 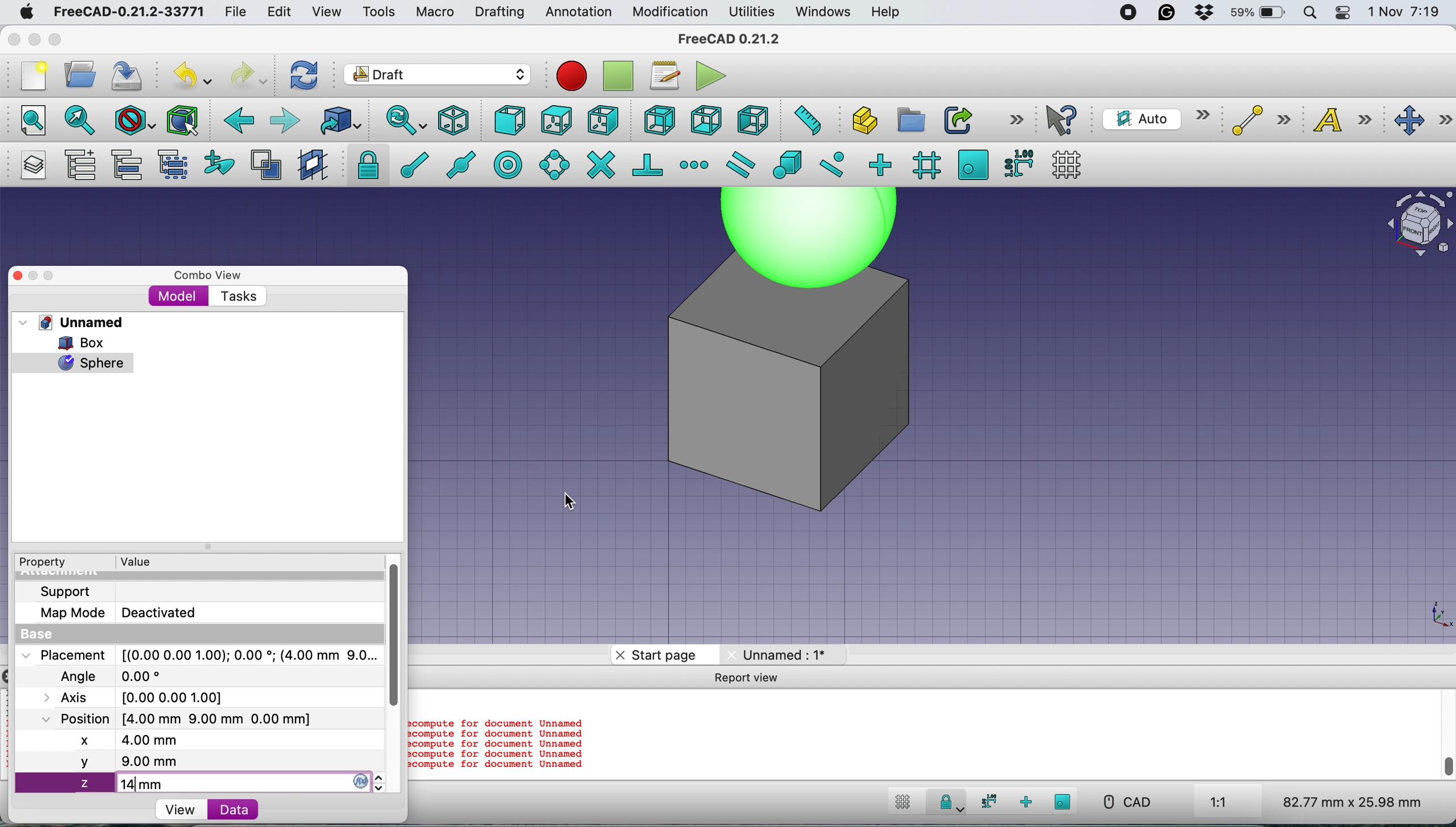 I want to click on value, so click(x=147, y=561).